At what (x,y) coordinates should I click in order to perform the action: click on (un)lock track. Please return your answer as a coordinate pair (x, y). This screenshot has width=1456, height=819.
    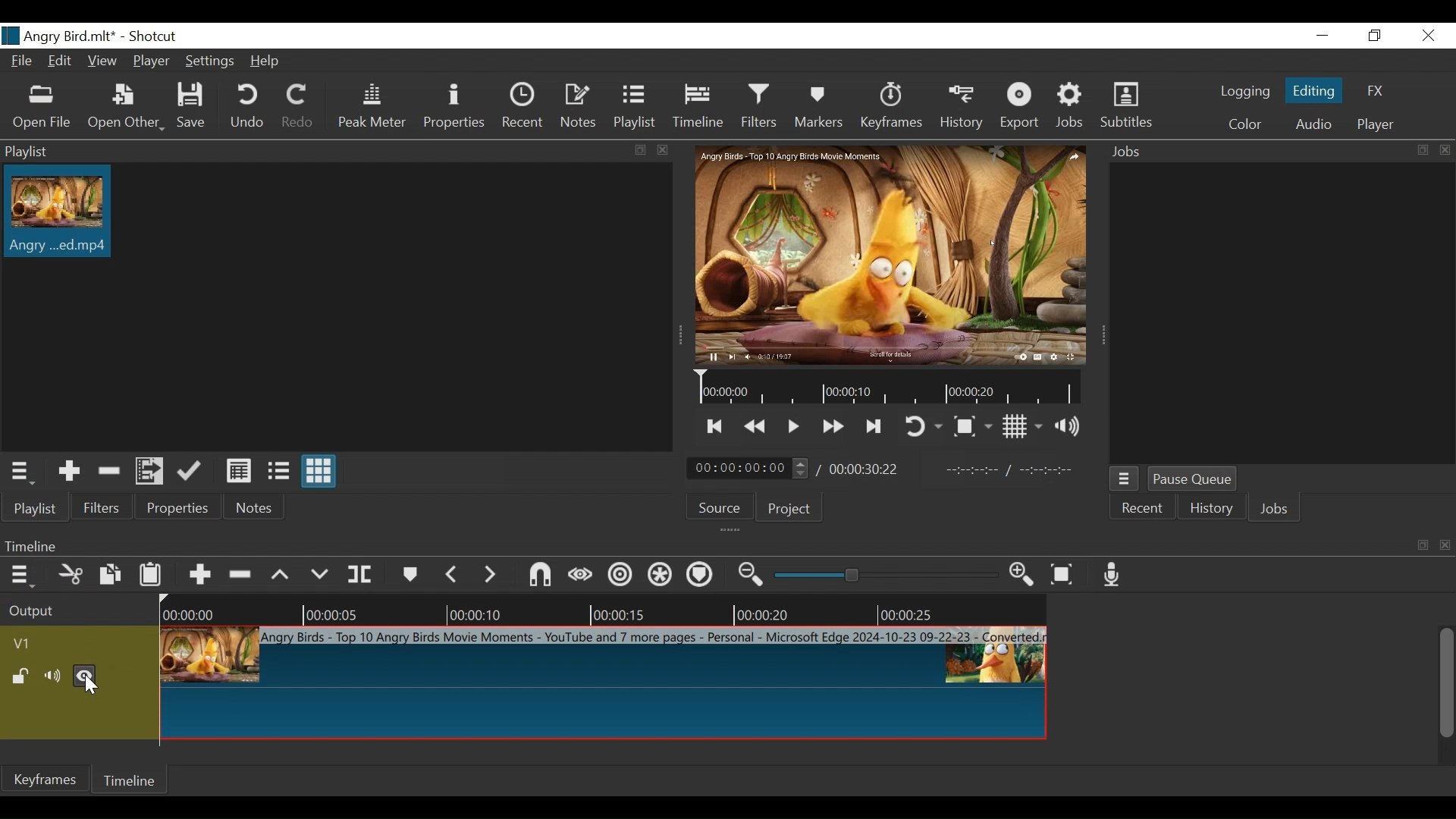
    Looking at the image, I should click on (19, 676).